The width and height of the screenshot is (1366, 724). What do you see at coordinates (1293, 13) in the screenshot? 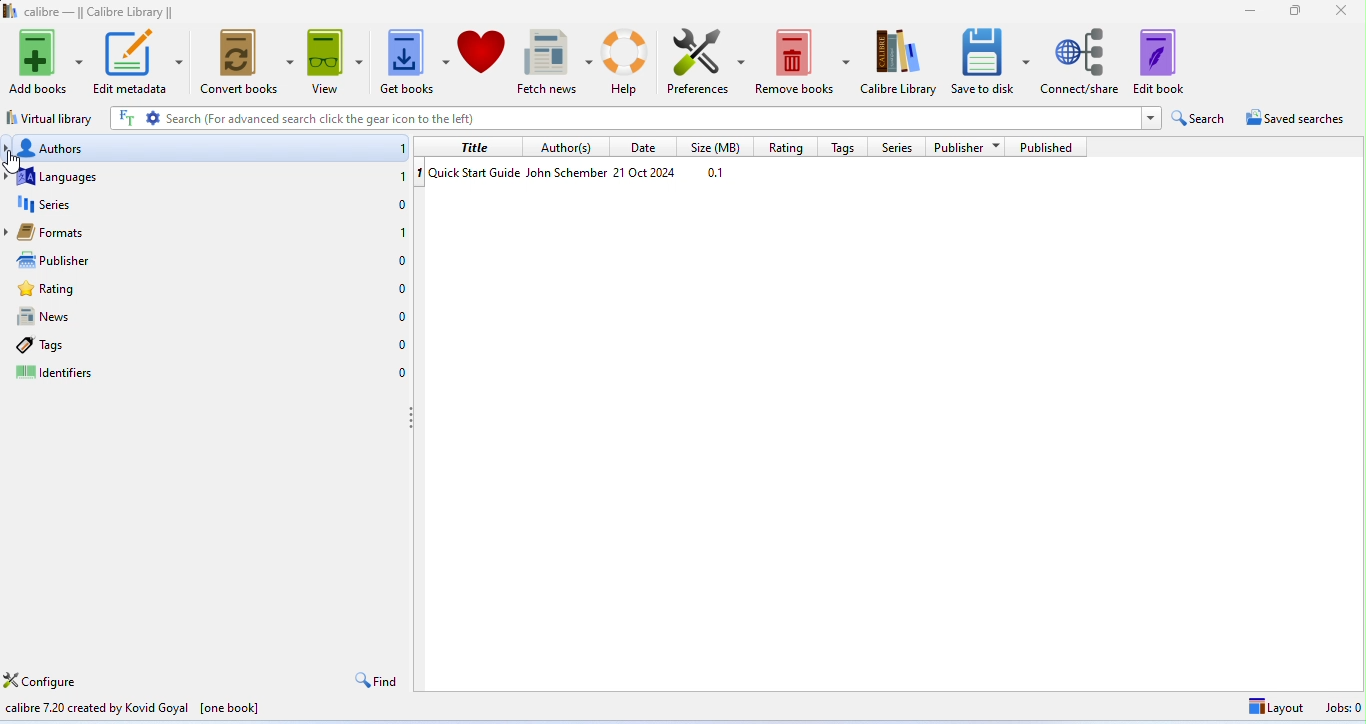
I see `maximize` at bounding box center [1293, 13].